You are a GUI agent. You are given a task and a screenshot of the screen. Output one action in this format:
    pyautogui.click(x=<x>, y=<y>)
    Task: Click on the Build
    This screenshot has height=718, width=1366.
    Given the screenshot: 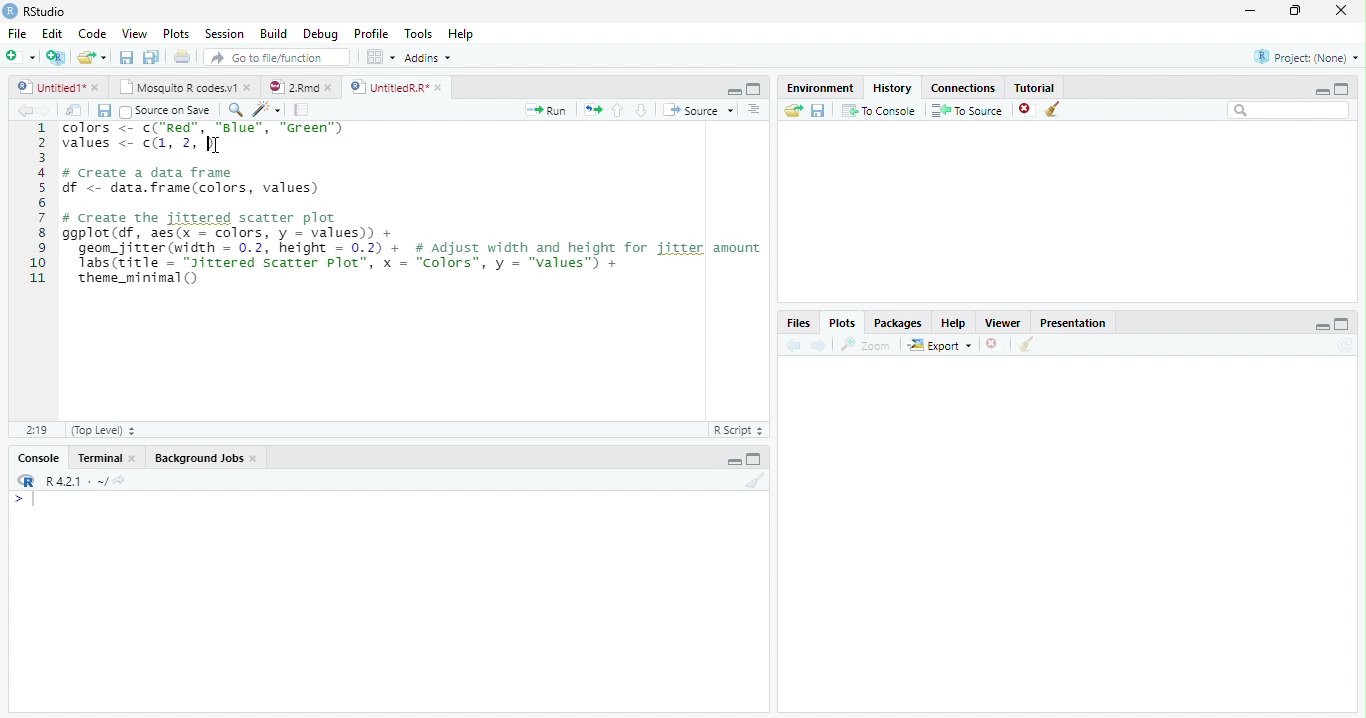 What is the action you would take?
    pyautogui.click(x=272, y=33)
    